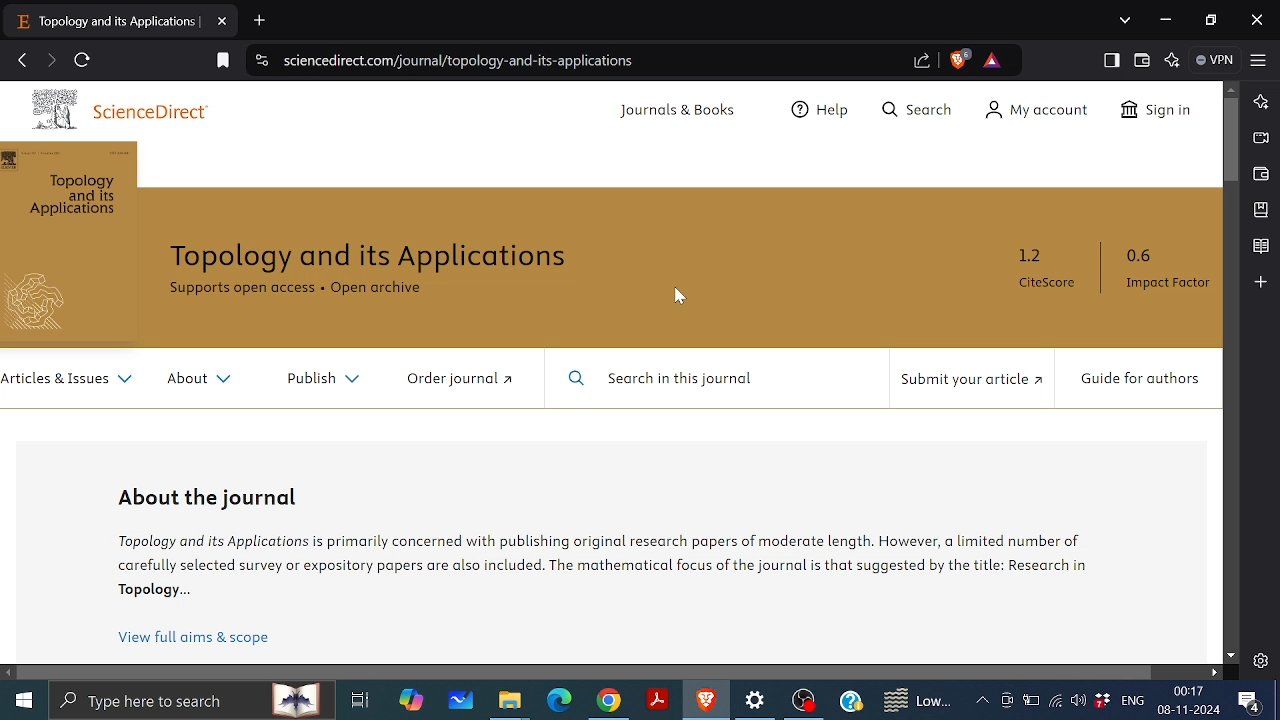  What do you see at coordinates (1141, 59) in the screenshot?
I see `Wallet` at bounding box center [1141, 59].